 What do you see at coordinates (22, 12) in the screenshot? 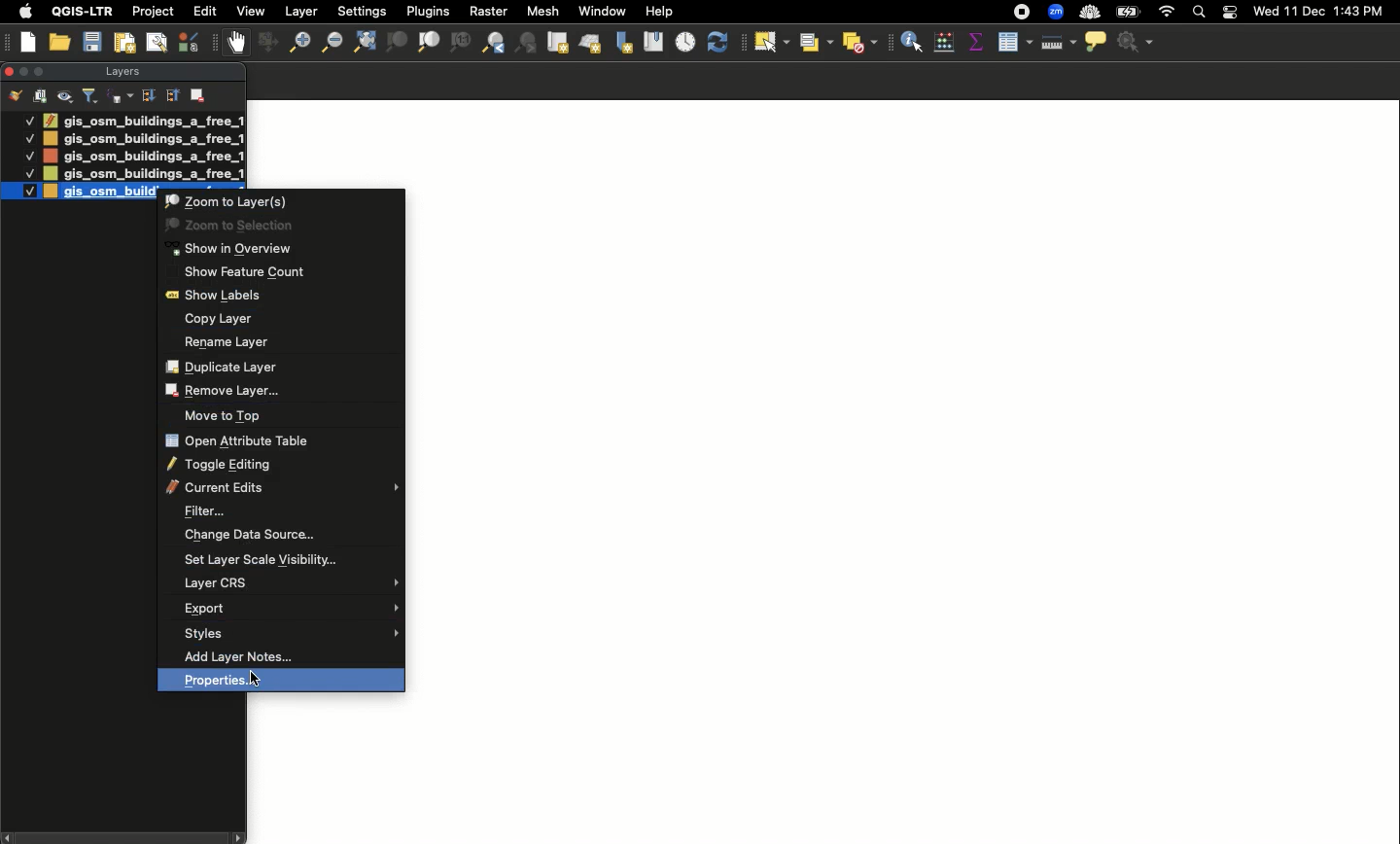
I see `Apple` at bounding box center [22, 12].